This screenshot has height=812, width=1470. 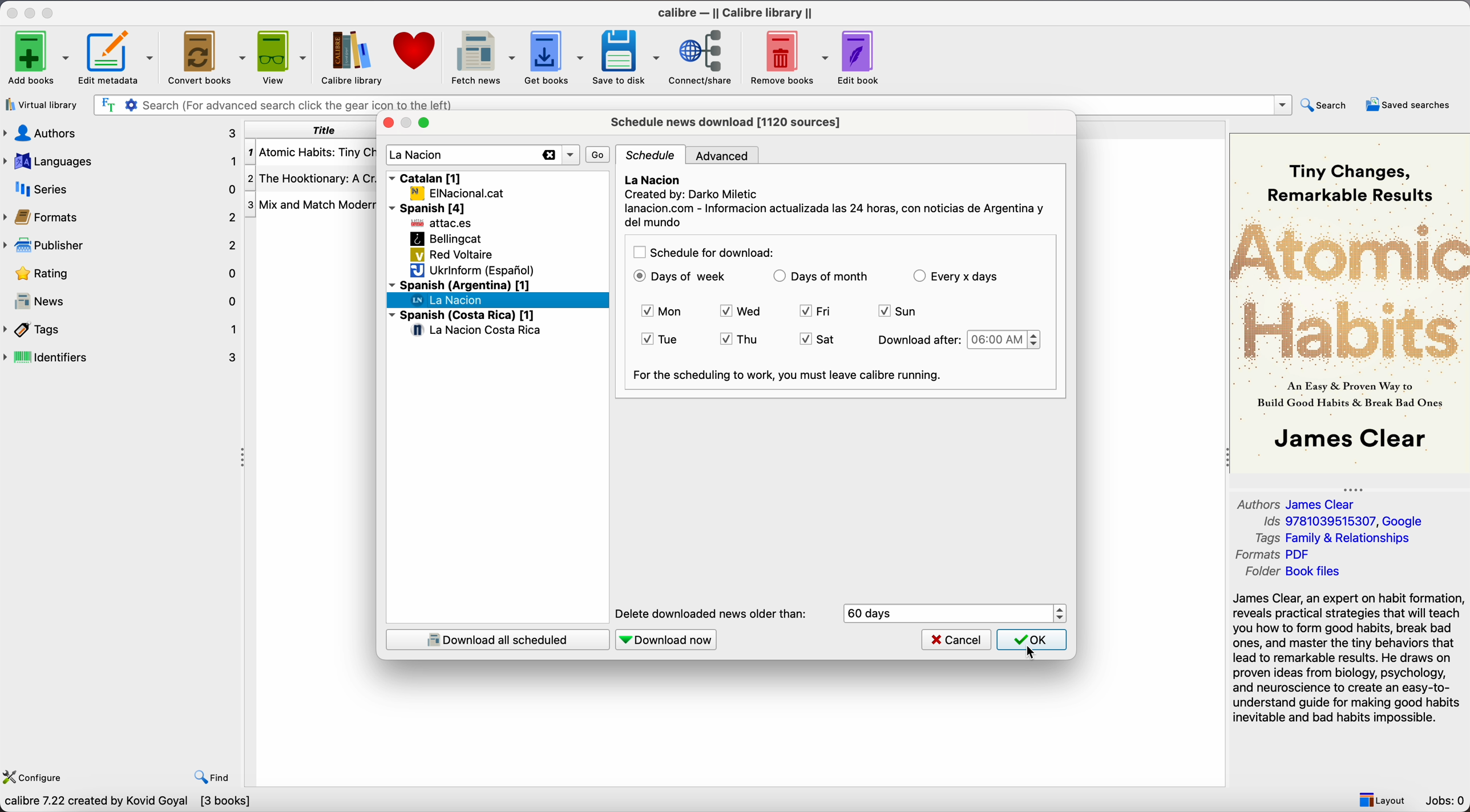 What do you see at coordinates (35, 56) in the screenshot?
I see `add books` at bounding box center [35, 56].